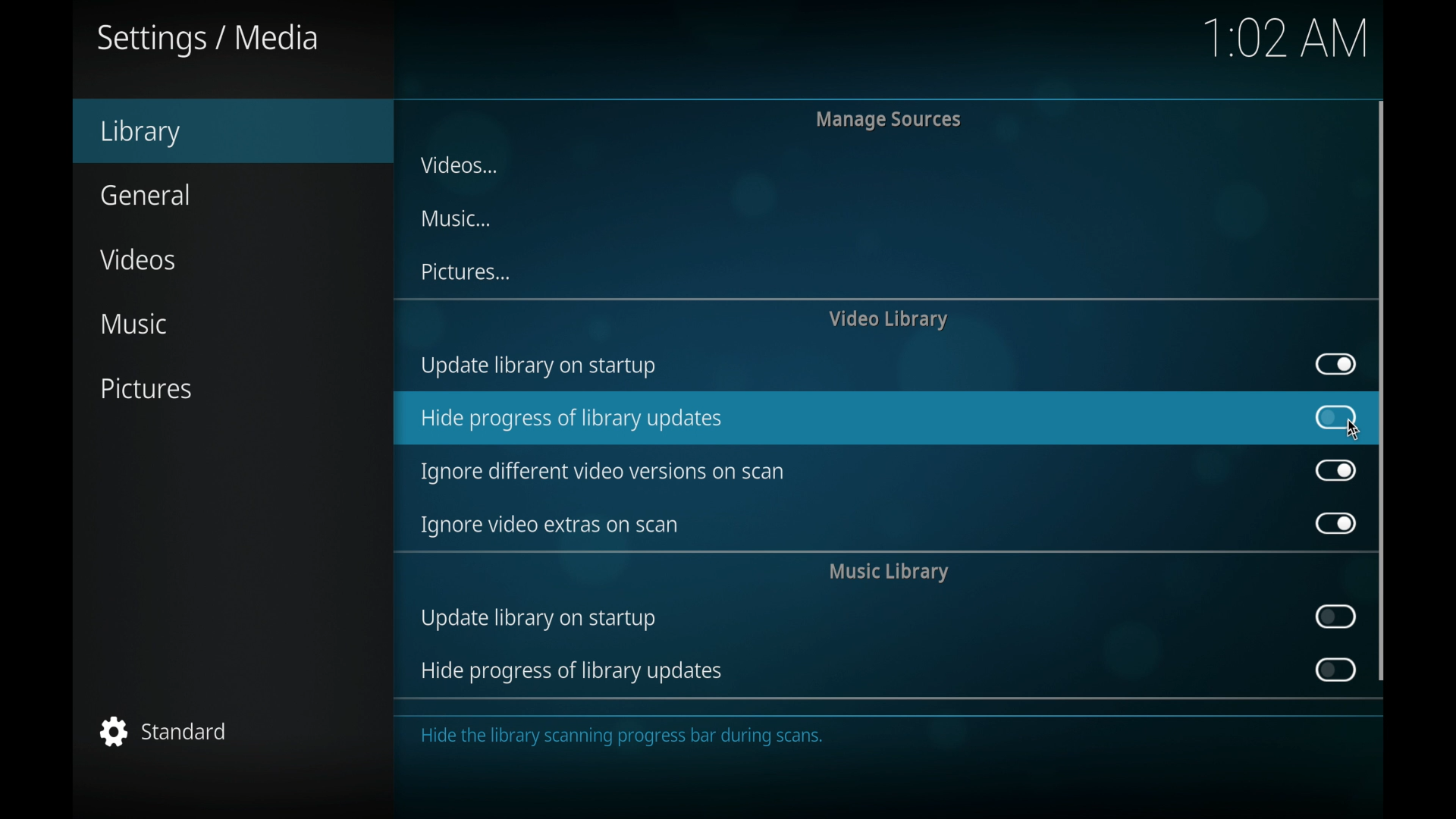 Image resolution: width=1456 pixels, height=819 pixels. What do you see at coordinates (601, 472) in the screenshot?
I see `ignore different video versions on scan` at bounding box center [601, 472].